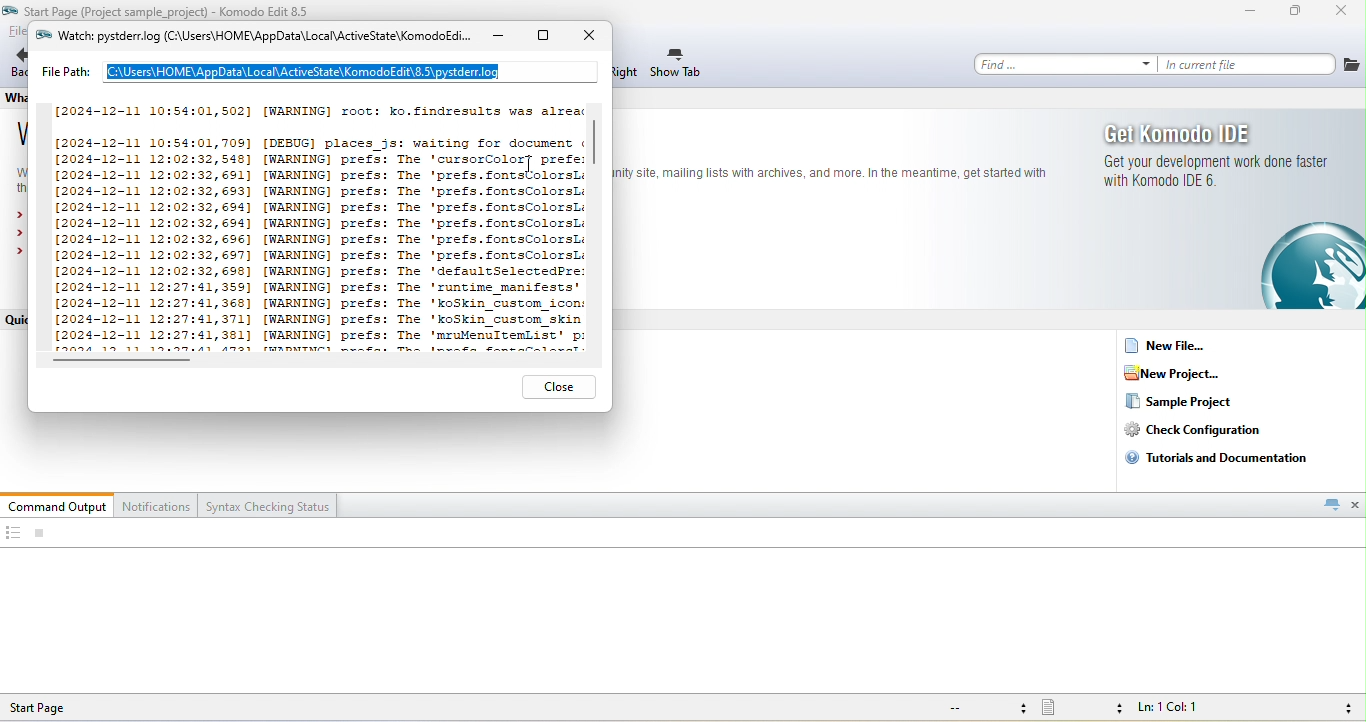 This screenshot has width=1366, height=722. I want to click on title, so click(263, 37).